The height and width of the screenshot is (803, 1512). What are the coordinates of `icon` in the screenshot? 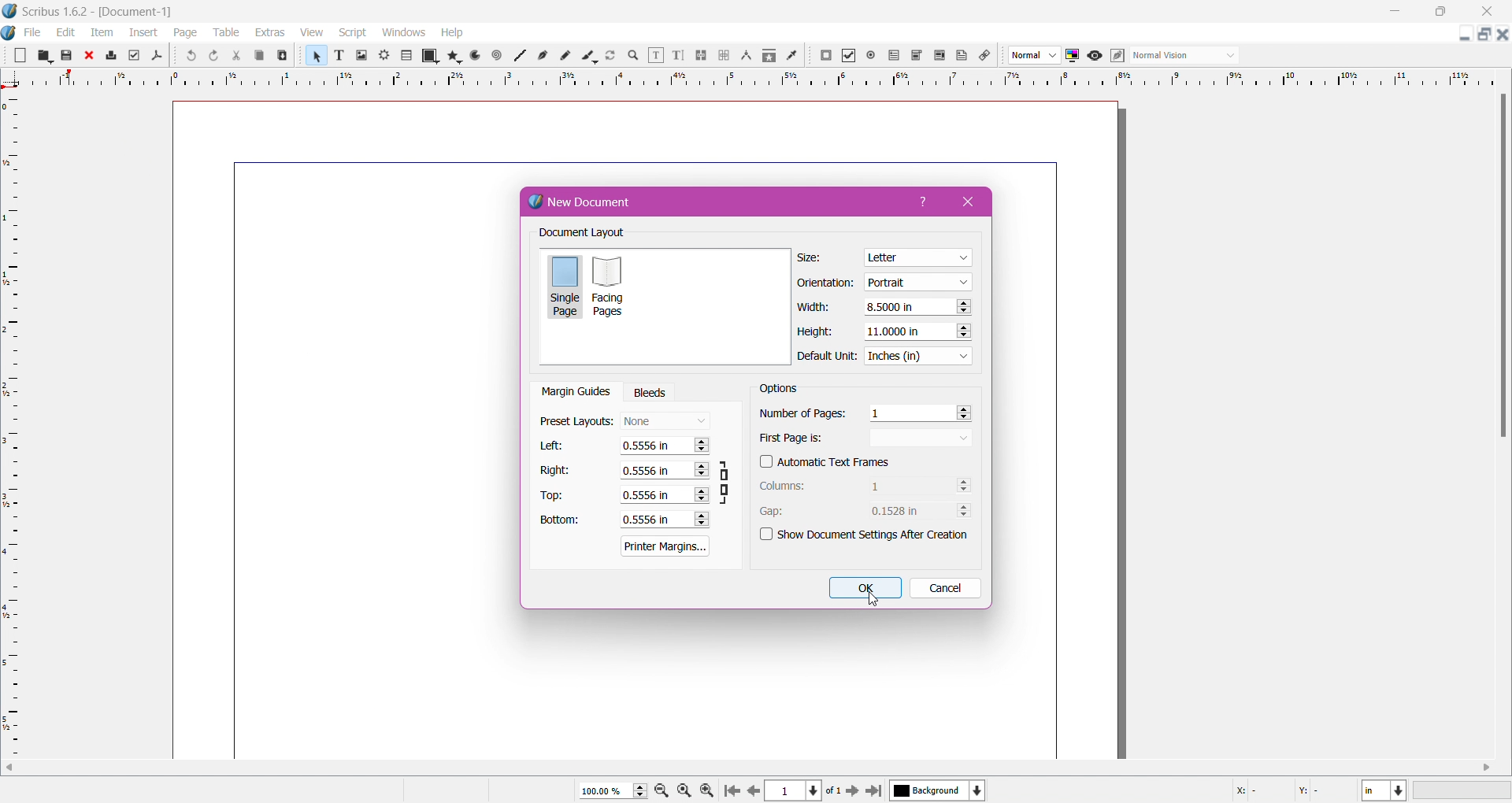 It's located at (497, 56).